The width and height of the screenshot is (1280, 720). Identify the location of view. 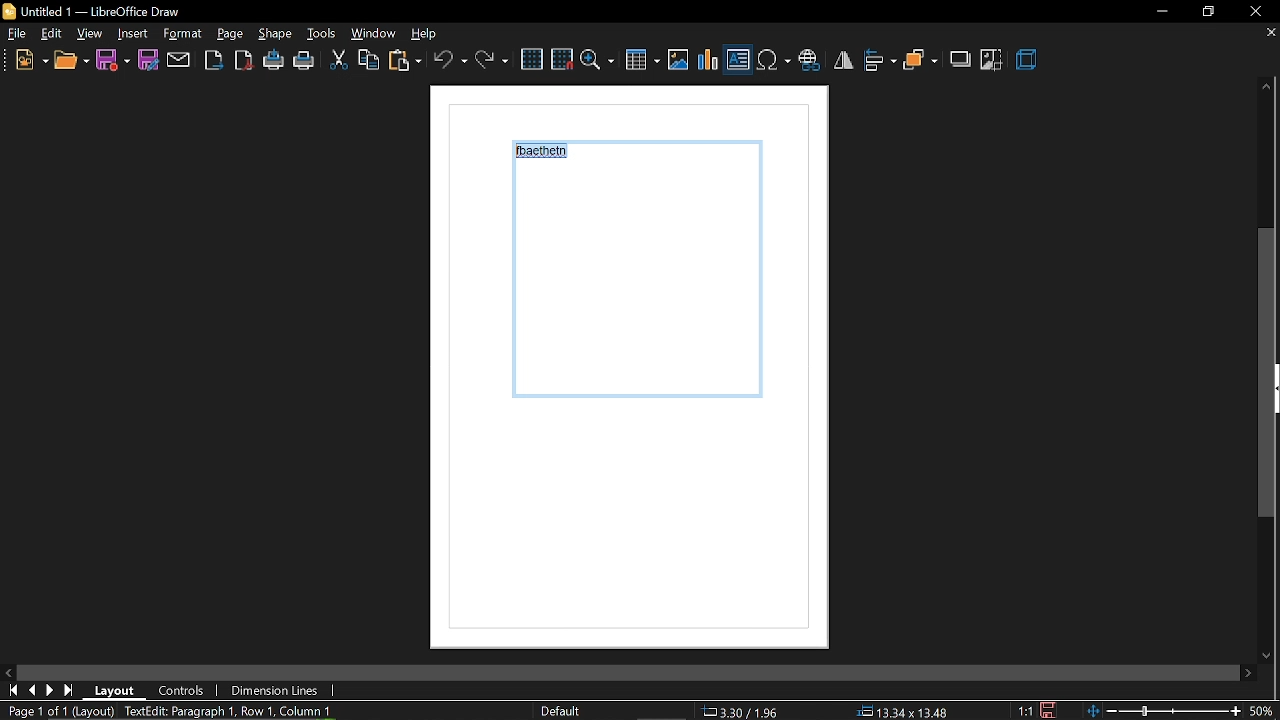
(90, 33).